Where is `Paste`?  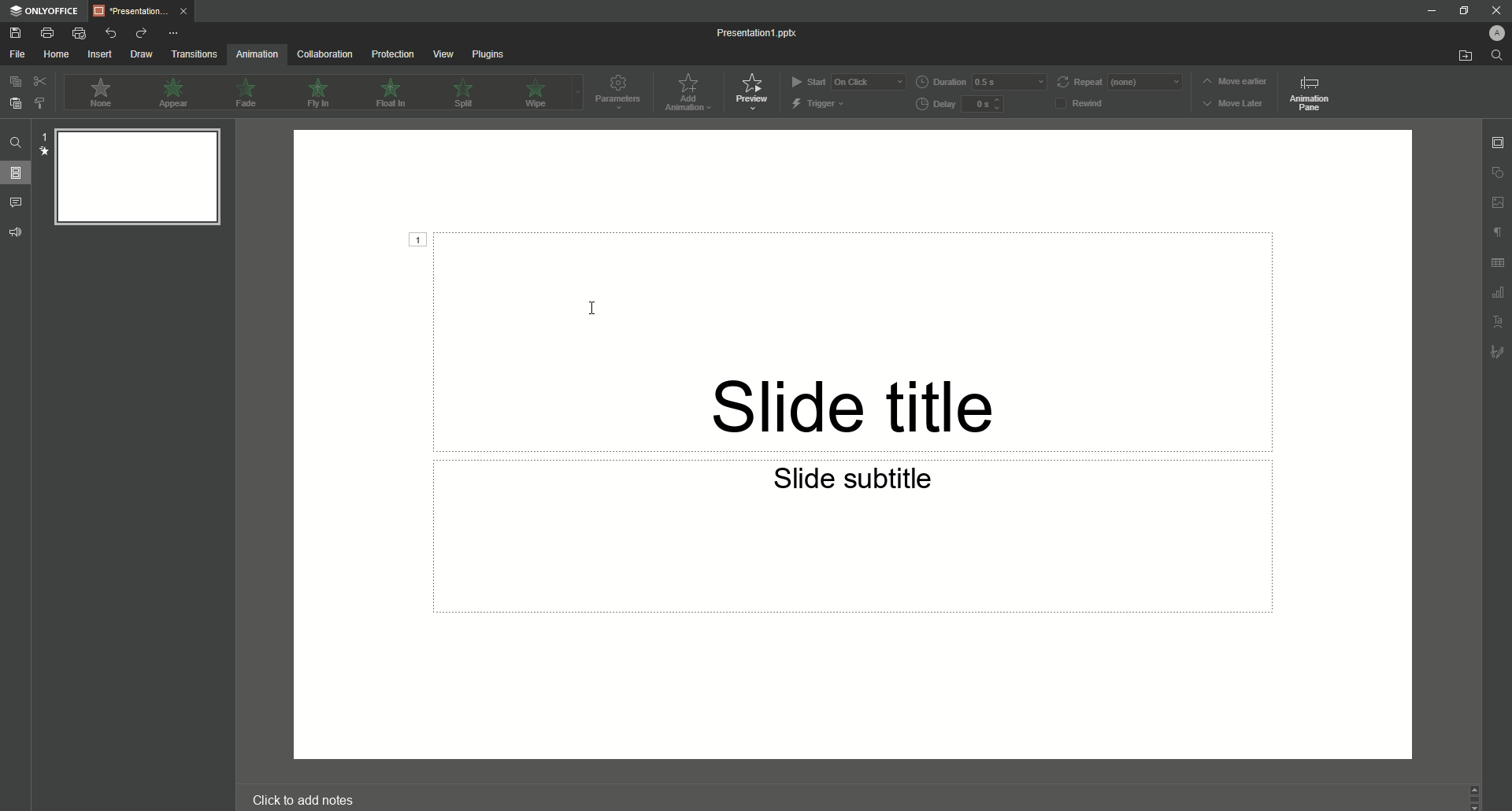
Paste is located at coordinates (15, 102).